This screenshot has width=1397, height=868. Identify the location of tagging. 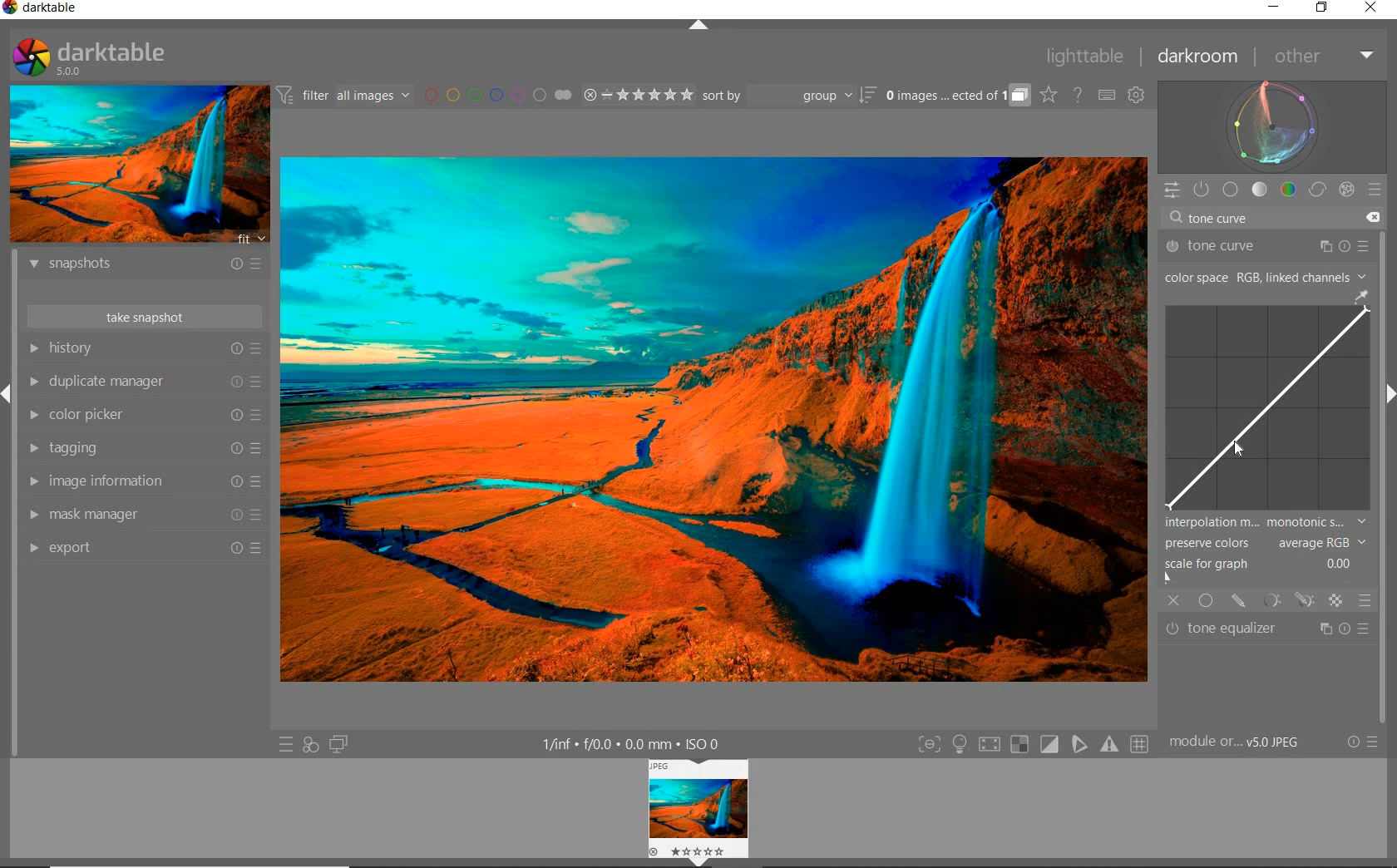
(144, 448).